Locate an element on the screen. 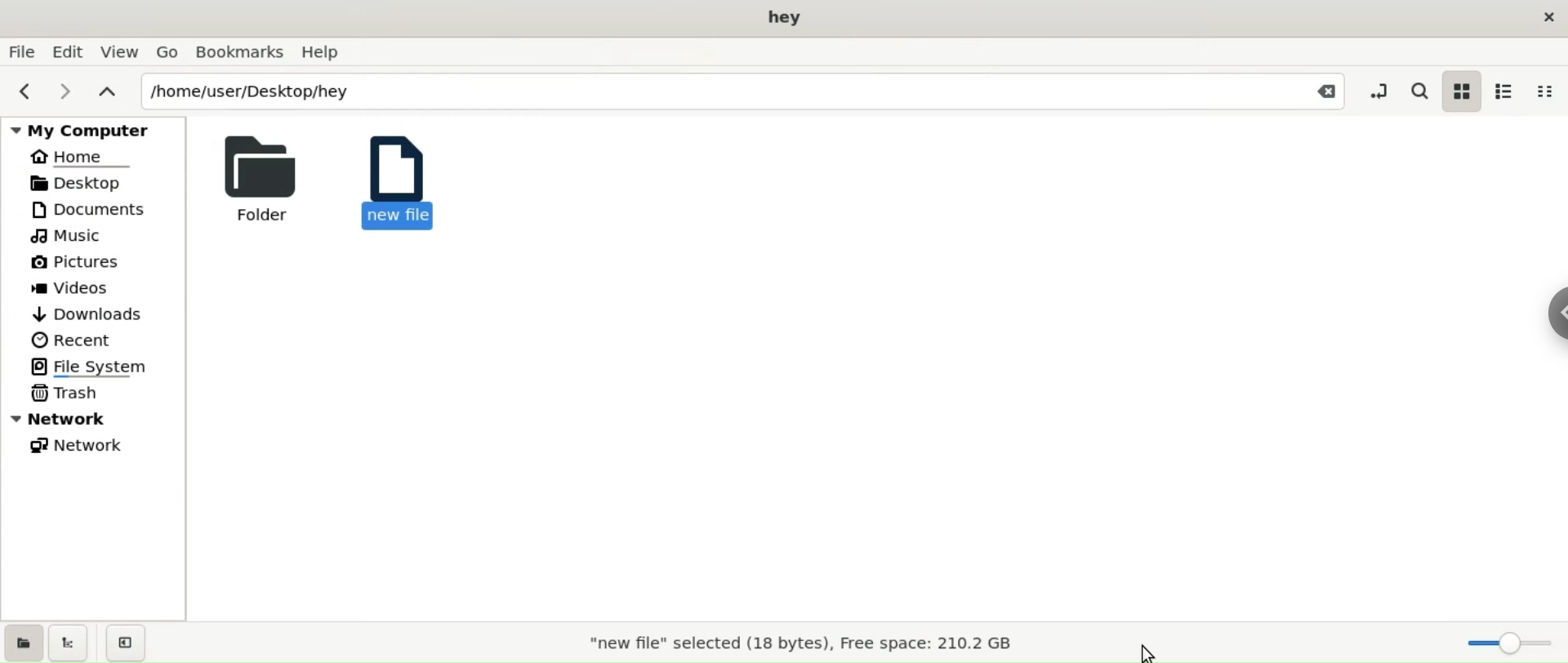 The image size is (1568, 663). /home/user/Desktop/hey is located at coordinates (709, 93).